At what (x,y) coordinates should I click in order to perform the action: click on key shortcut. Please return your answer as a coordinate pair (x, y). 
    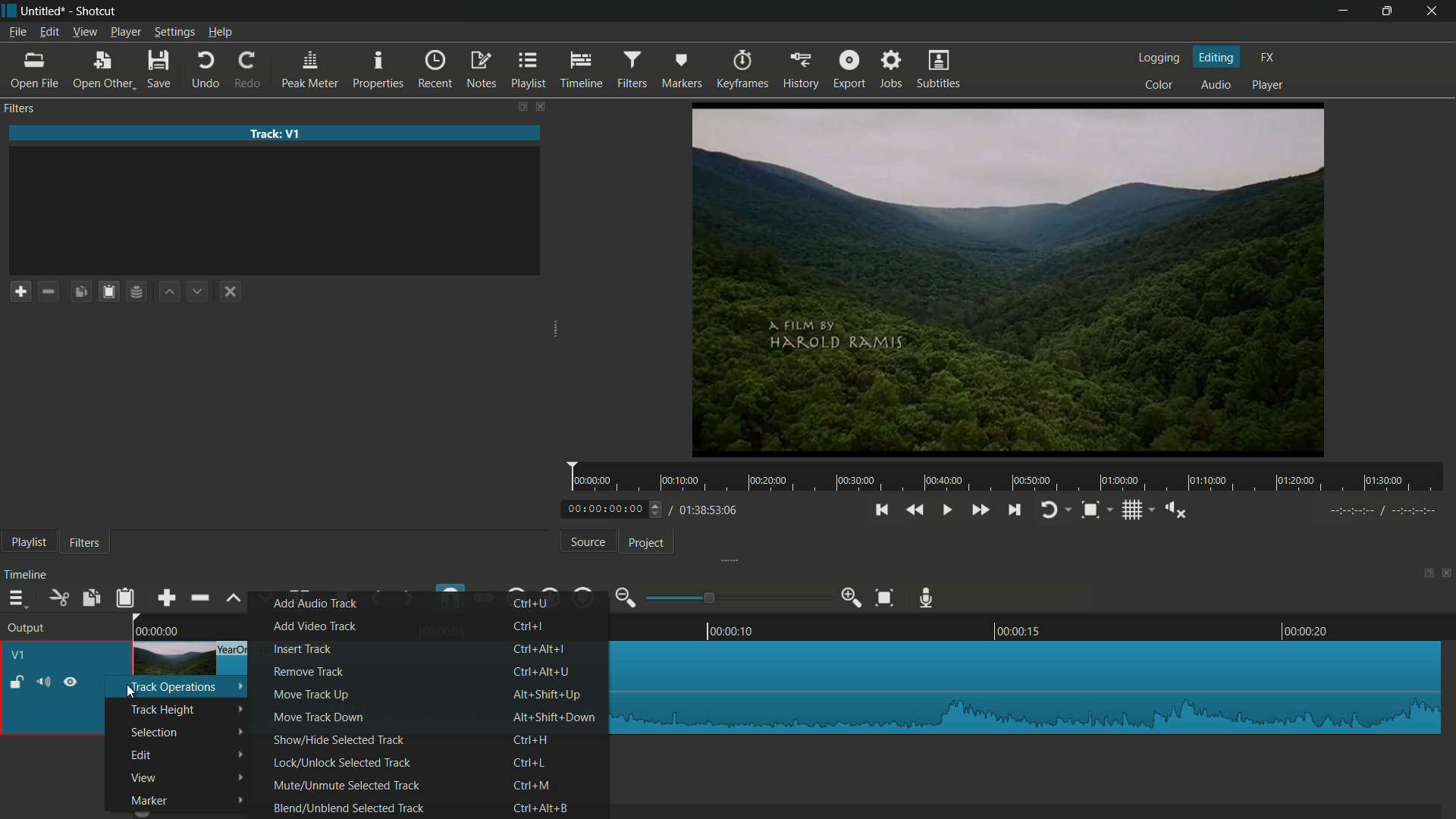
    Looking at the image, I should click on (538, 649).